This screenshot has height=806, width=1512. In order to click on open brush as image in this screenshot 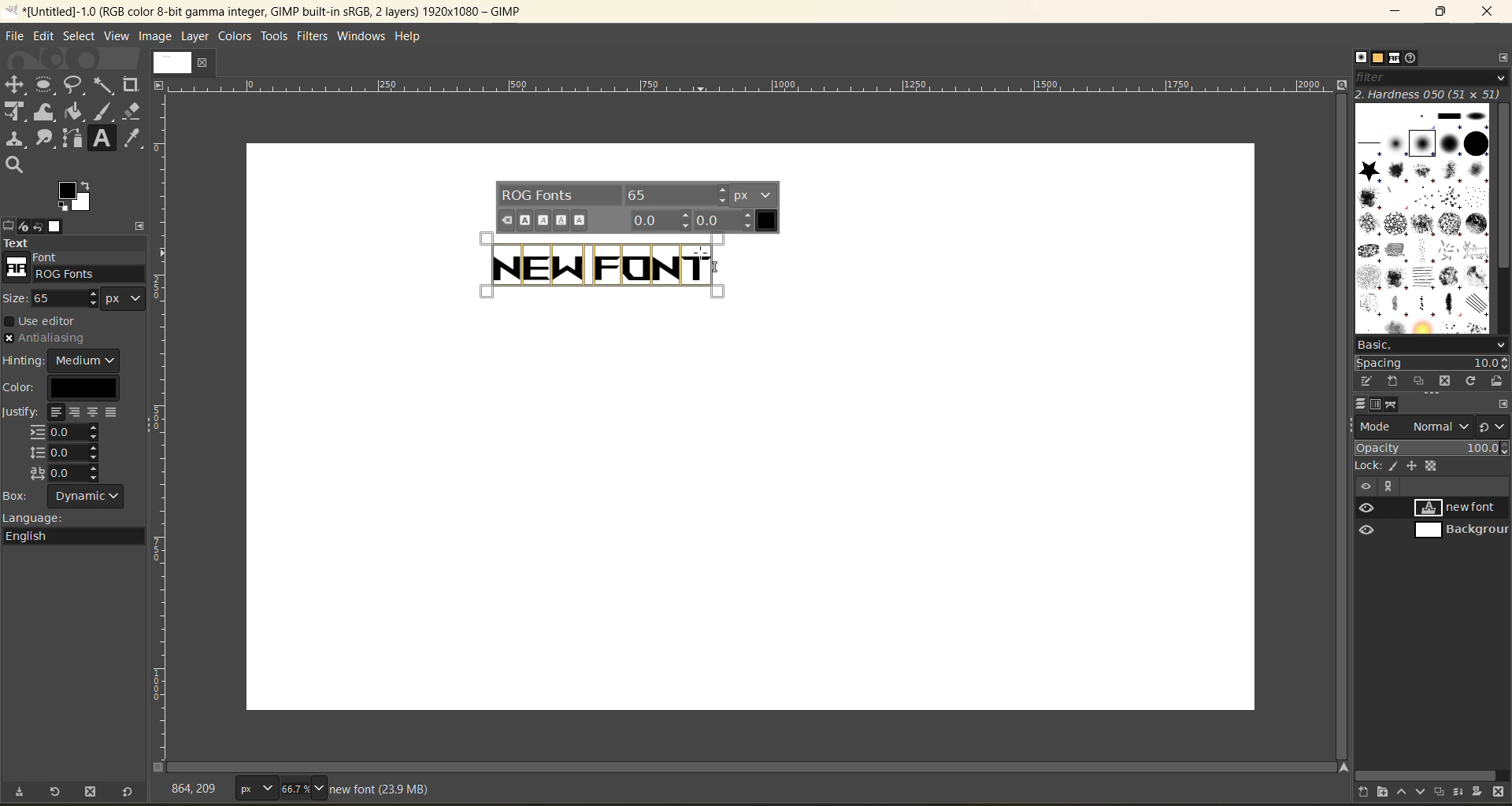, I will do `click(1499, 383)`.